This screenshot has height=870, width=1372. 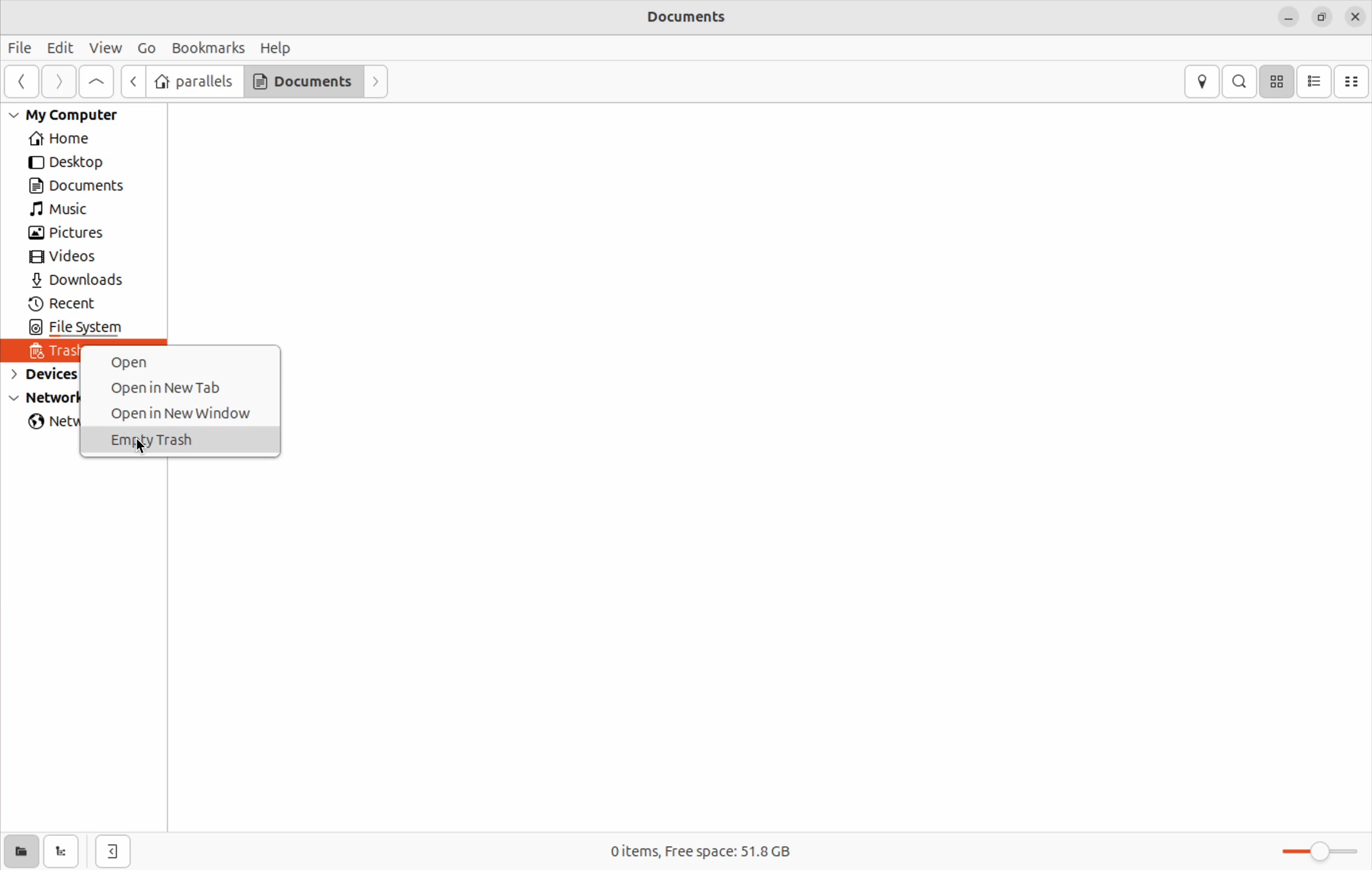 I want to click on recent, so click(x=67, y=306).